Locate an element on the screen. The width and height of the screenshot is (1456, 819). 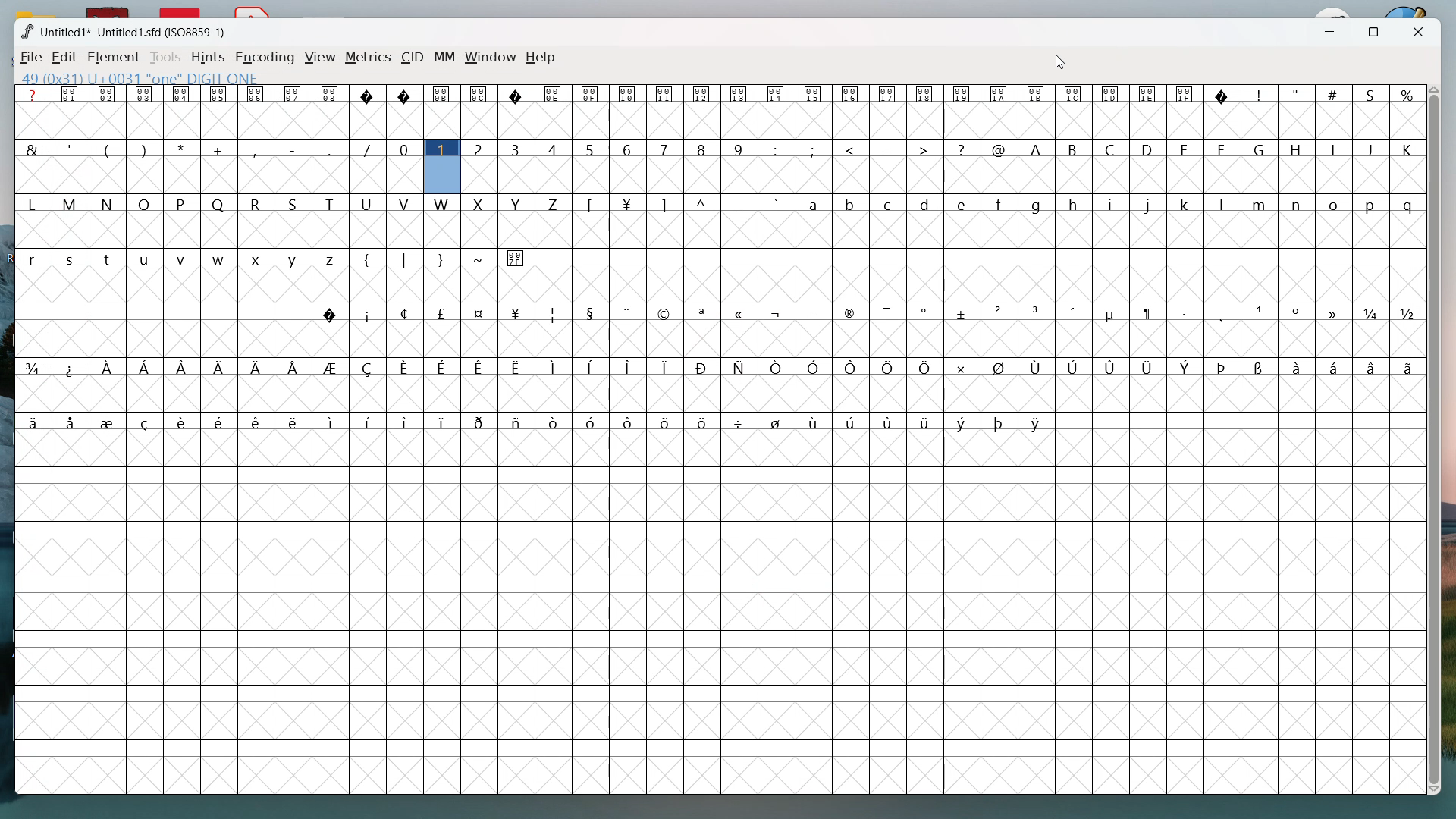
W is located at coordinates (443, 203).